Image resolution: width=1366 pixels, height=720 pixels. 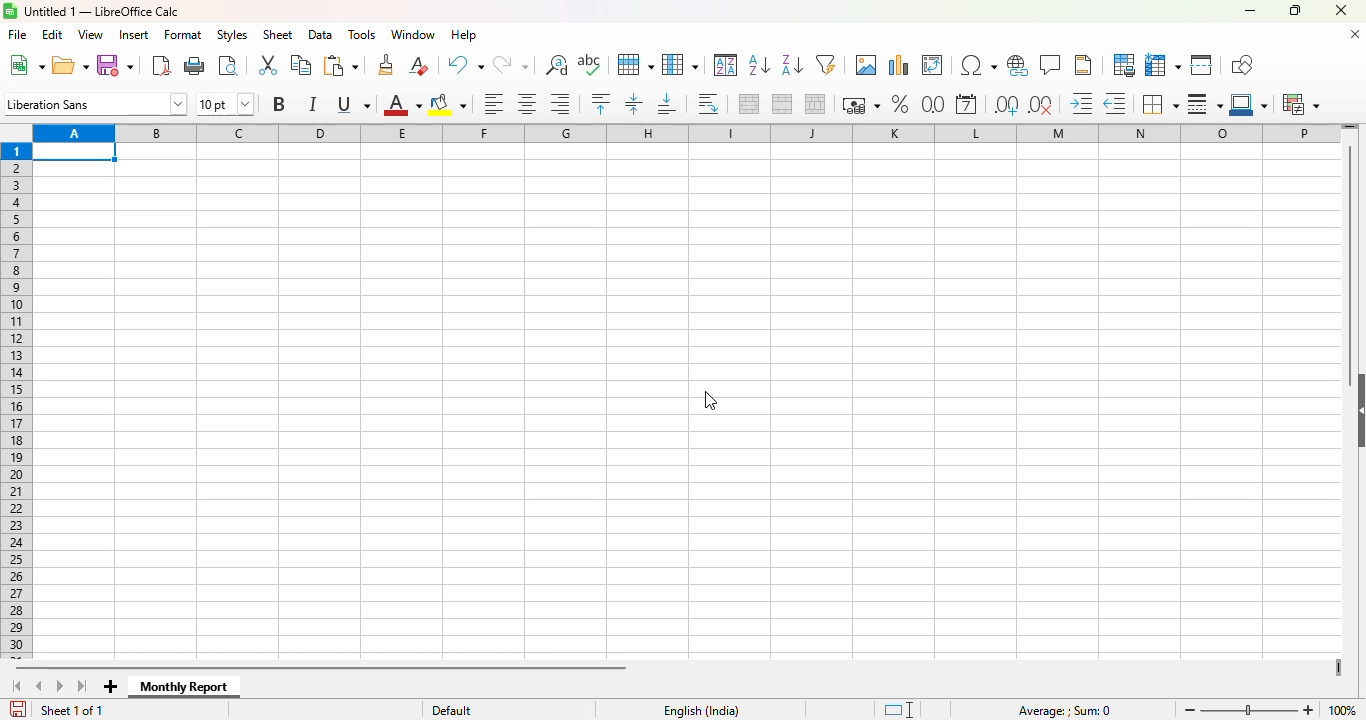 What do you see at coordinates (301, 63) in the screenshot?
I see `copy` at bounding box center [301, 63].